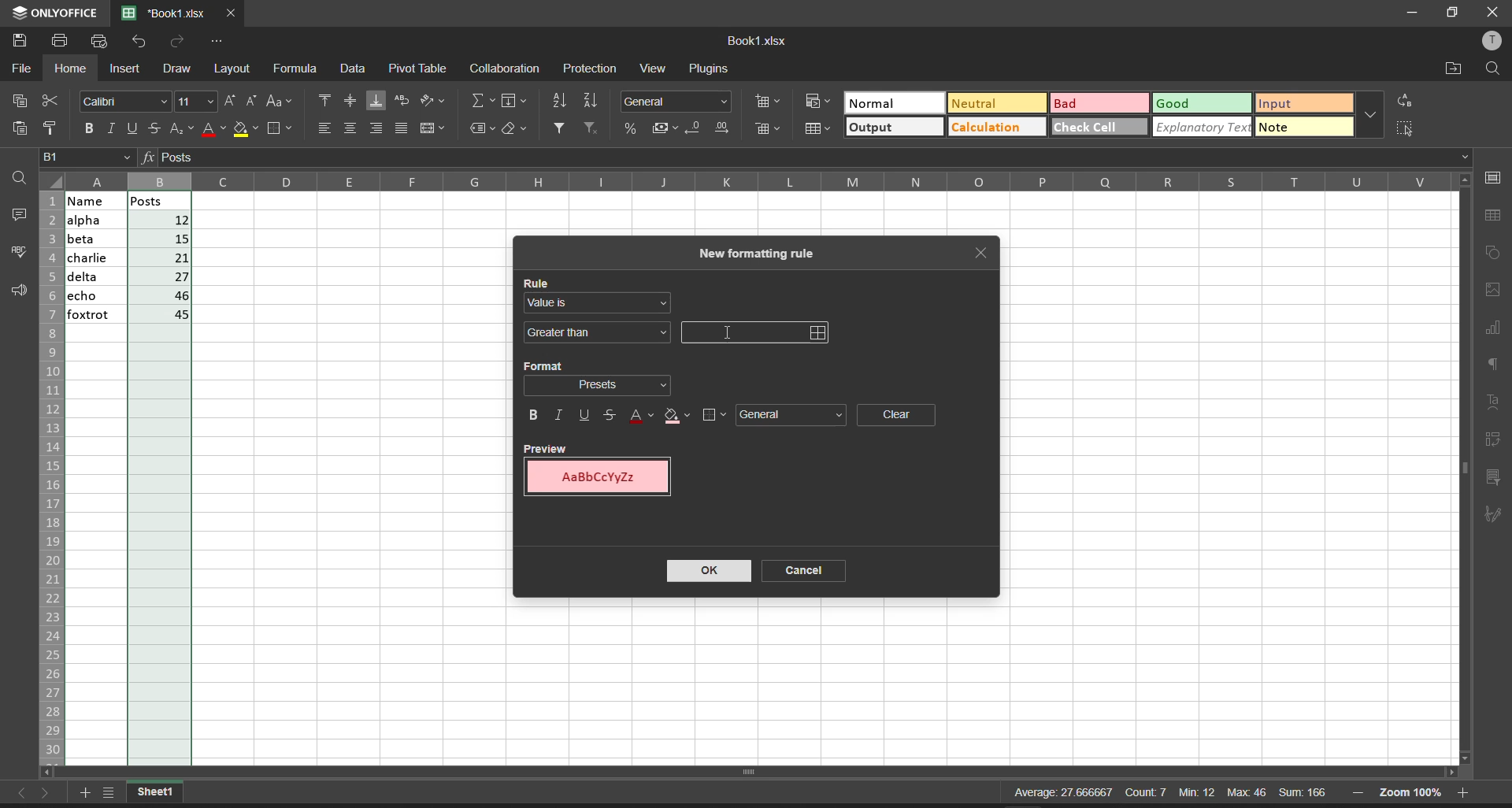 The height and width of the screenshot is (808, 1512). Describe the element at coordinates (711, 413) in the screenshot. I see `borders` at that location.